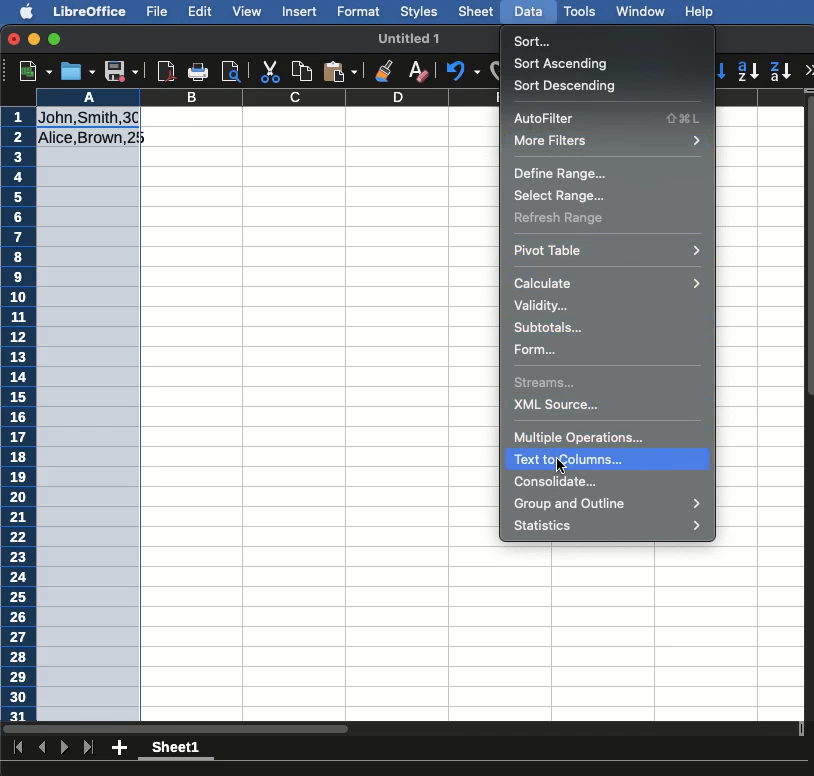 Image resolution: width=814 pixels, height=776 pixels. What do you see at coordinates (750, 70) in the screenshot?
I see `Ascending` at bounding box center [750, 70].